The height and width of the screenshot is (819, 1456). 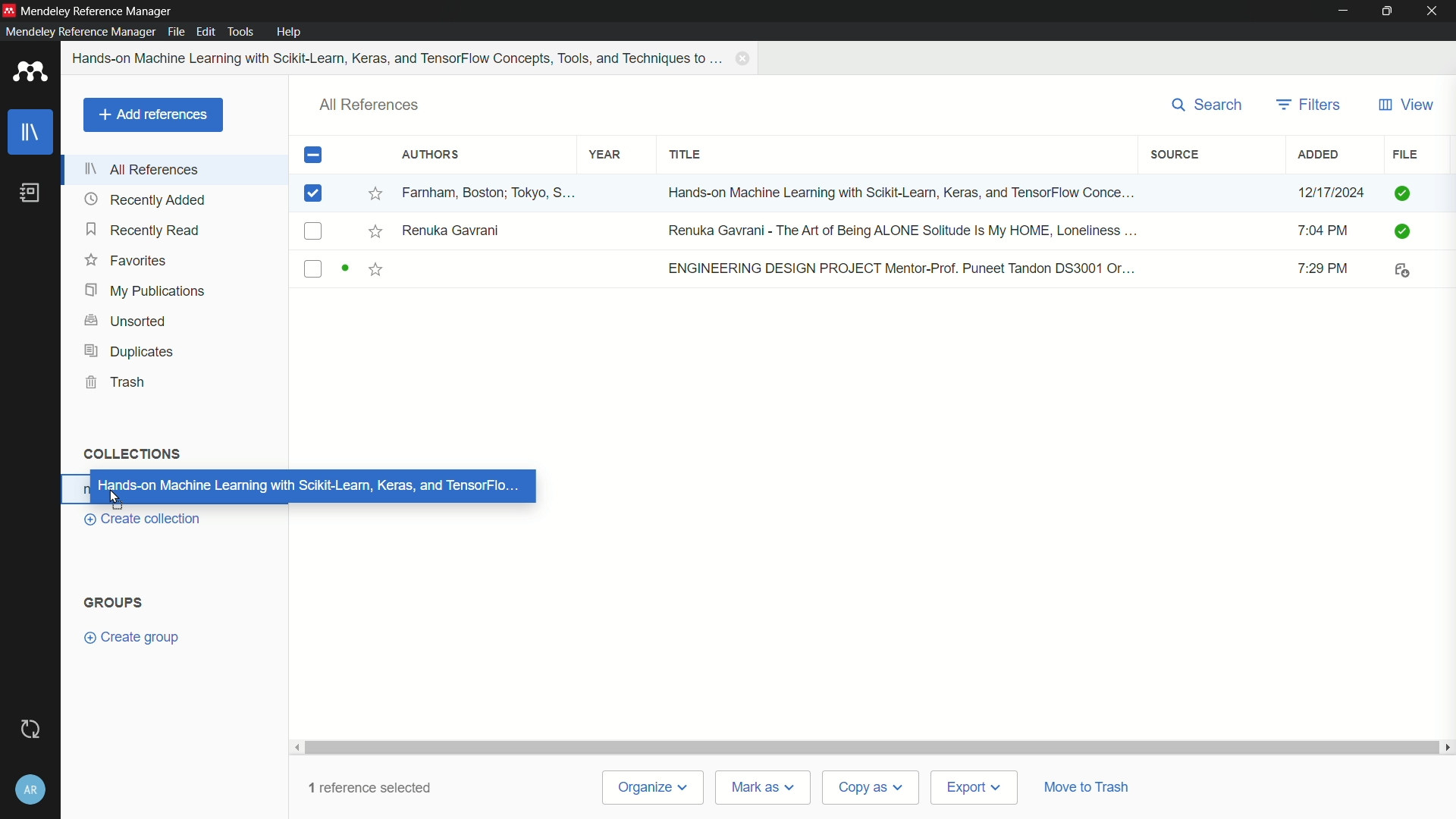 I want to click on filters, so click(x=1308, y=105).